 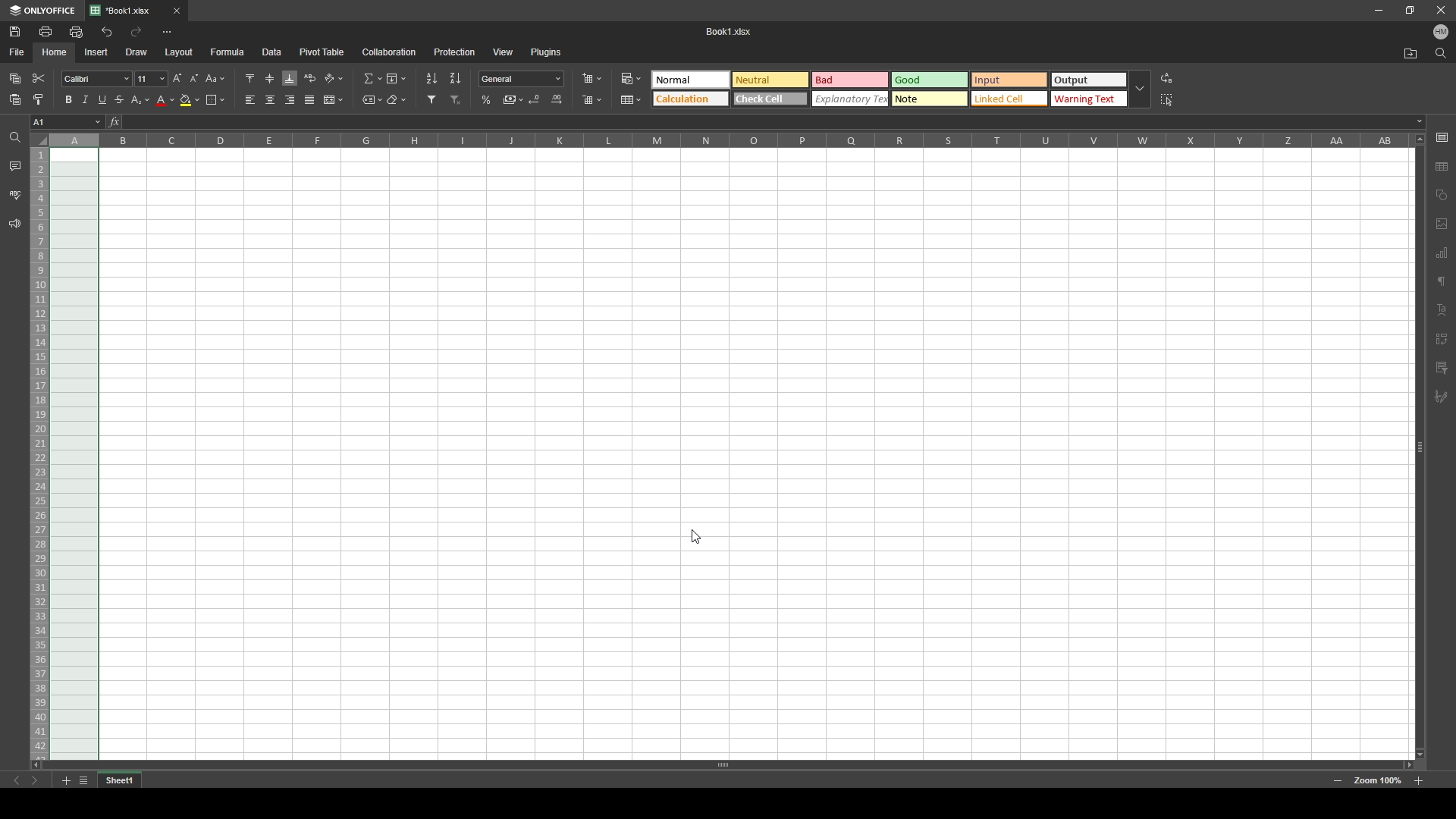 What do you see at coordinates (432, 99) in the screenshot?
I see `filter` at bounding box center [432, 99].